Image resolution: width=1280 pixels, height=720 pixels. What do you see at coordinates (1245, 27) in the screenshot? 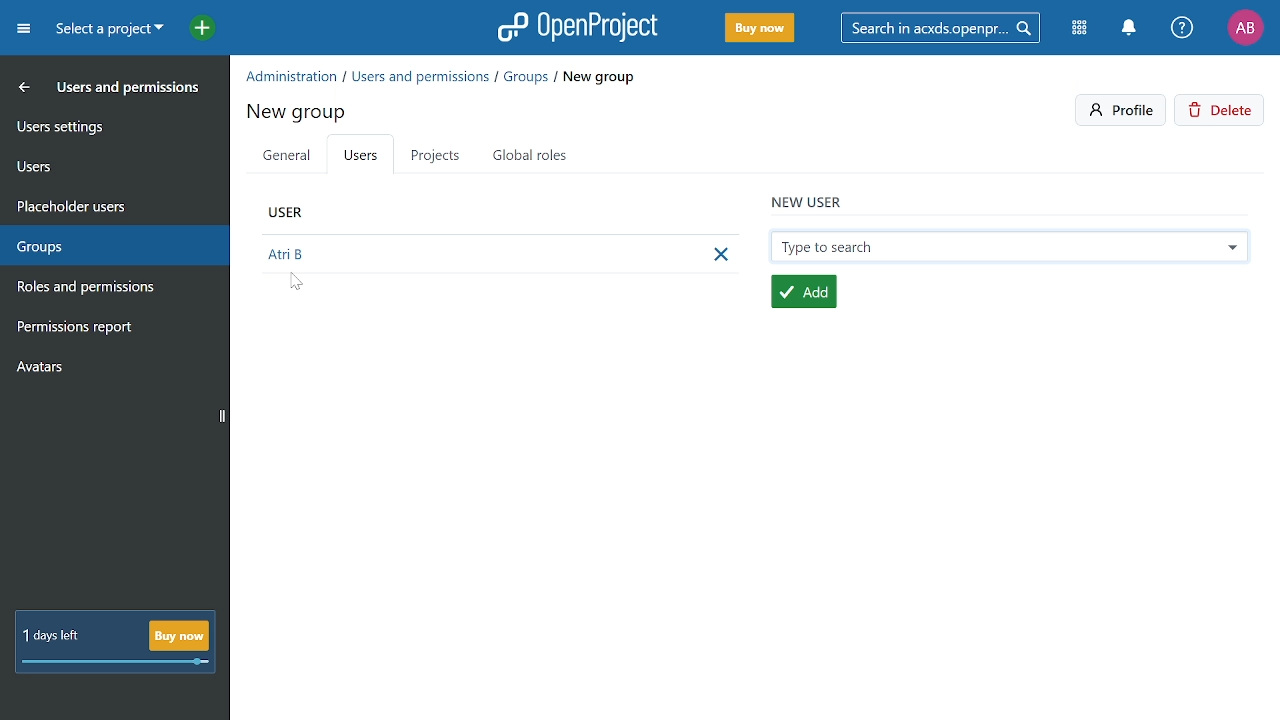
I see `Profile` at bounding box center [1245, 27].